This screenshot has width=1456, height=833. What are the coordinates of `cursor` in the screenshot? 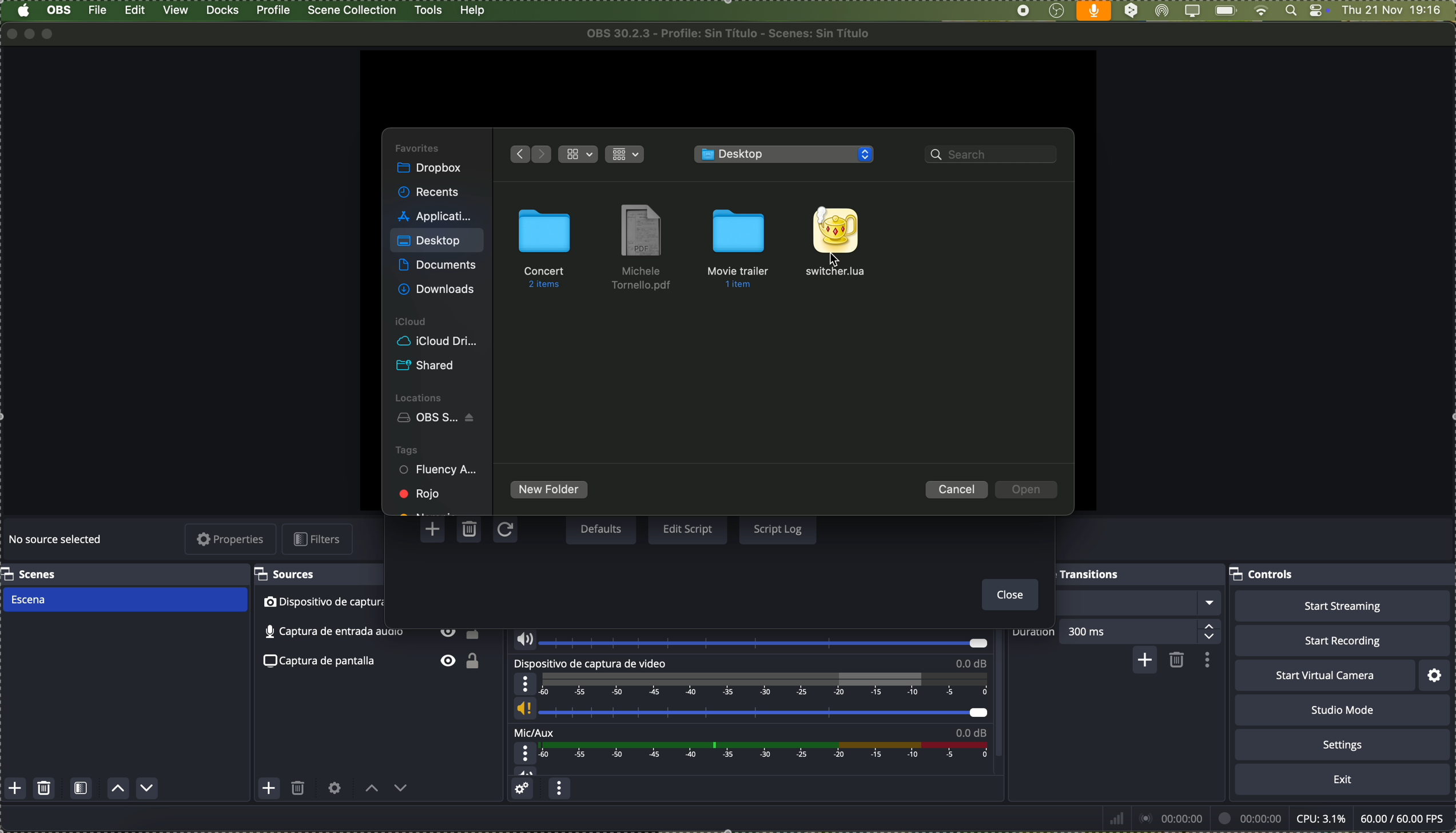 It's located at (841, 259).